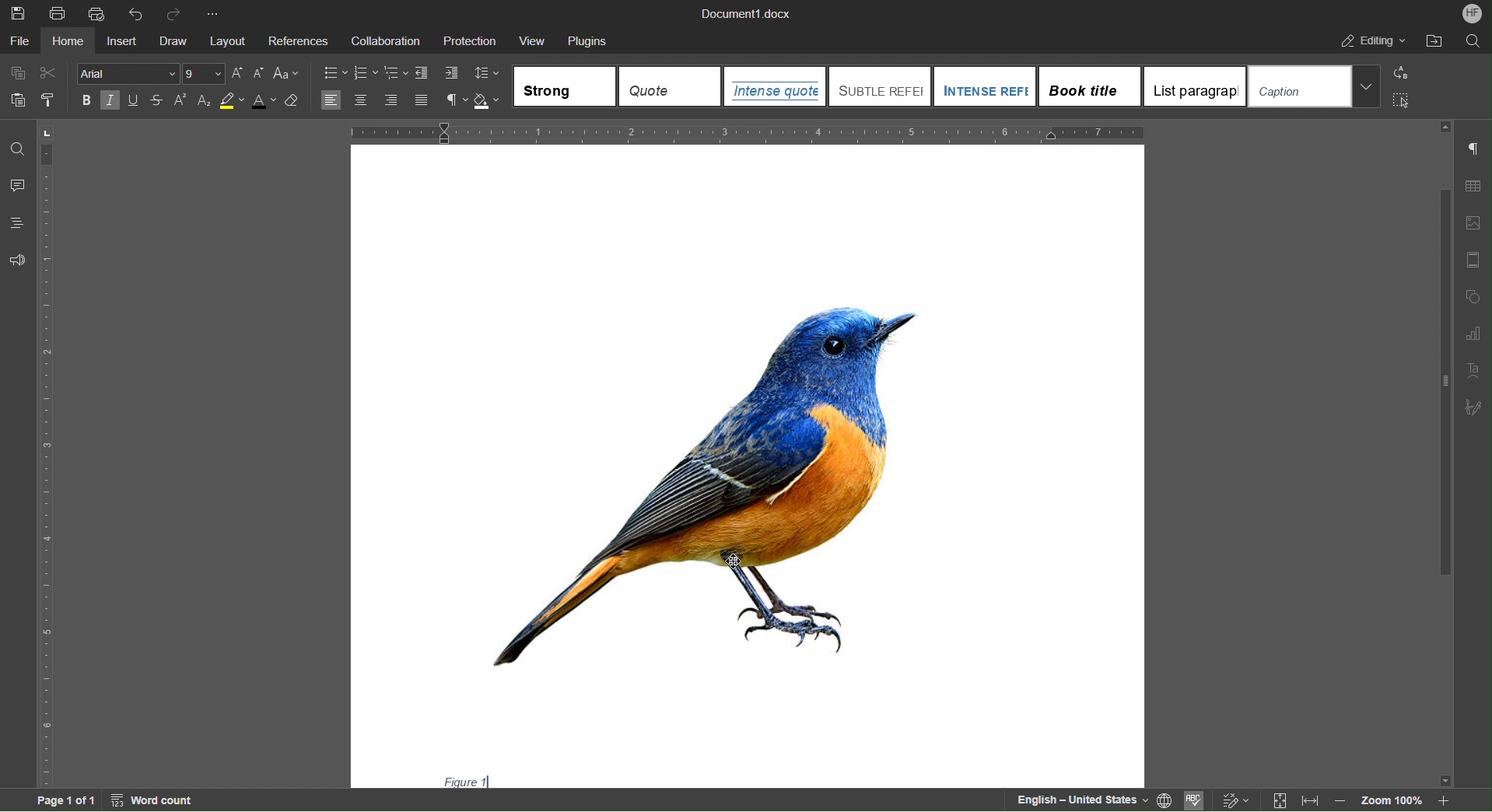  What do you see at coordinates (1473, 408) in the screenshot?
I see `Signature` at bounding box center [1473, 408].